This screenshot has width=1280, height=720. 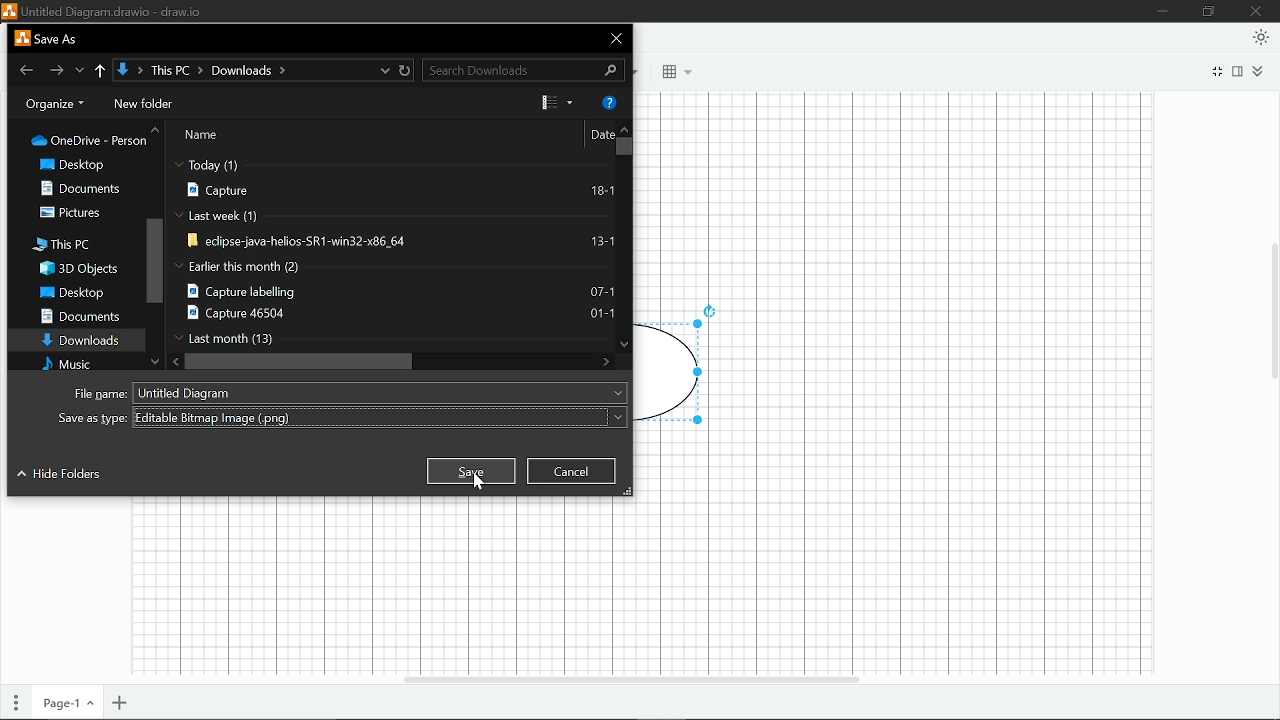 I want to click on Move down in files in "Downloads", so click(x=623, y=344).